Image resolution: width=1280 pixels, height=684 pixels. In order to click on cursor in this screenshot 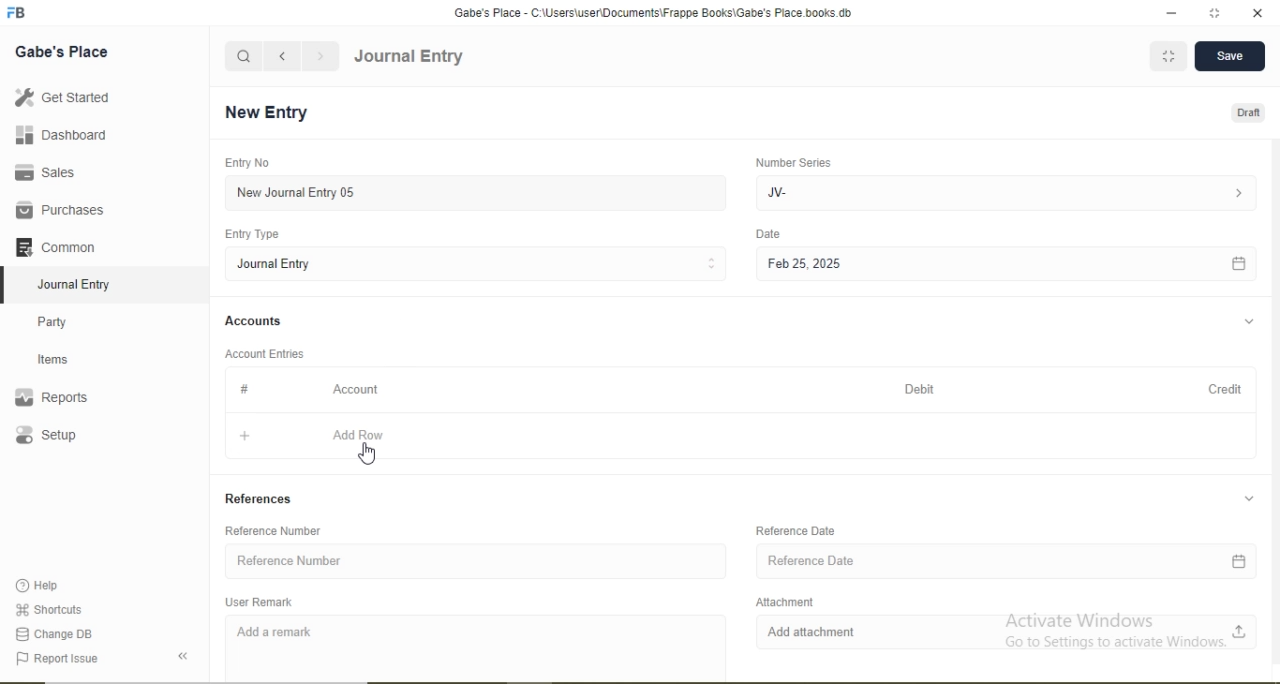, I will do `click(369, 455)`.